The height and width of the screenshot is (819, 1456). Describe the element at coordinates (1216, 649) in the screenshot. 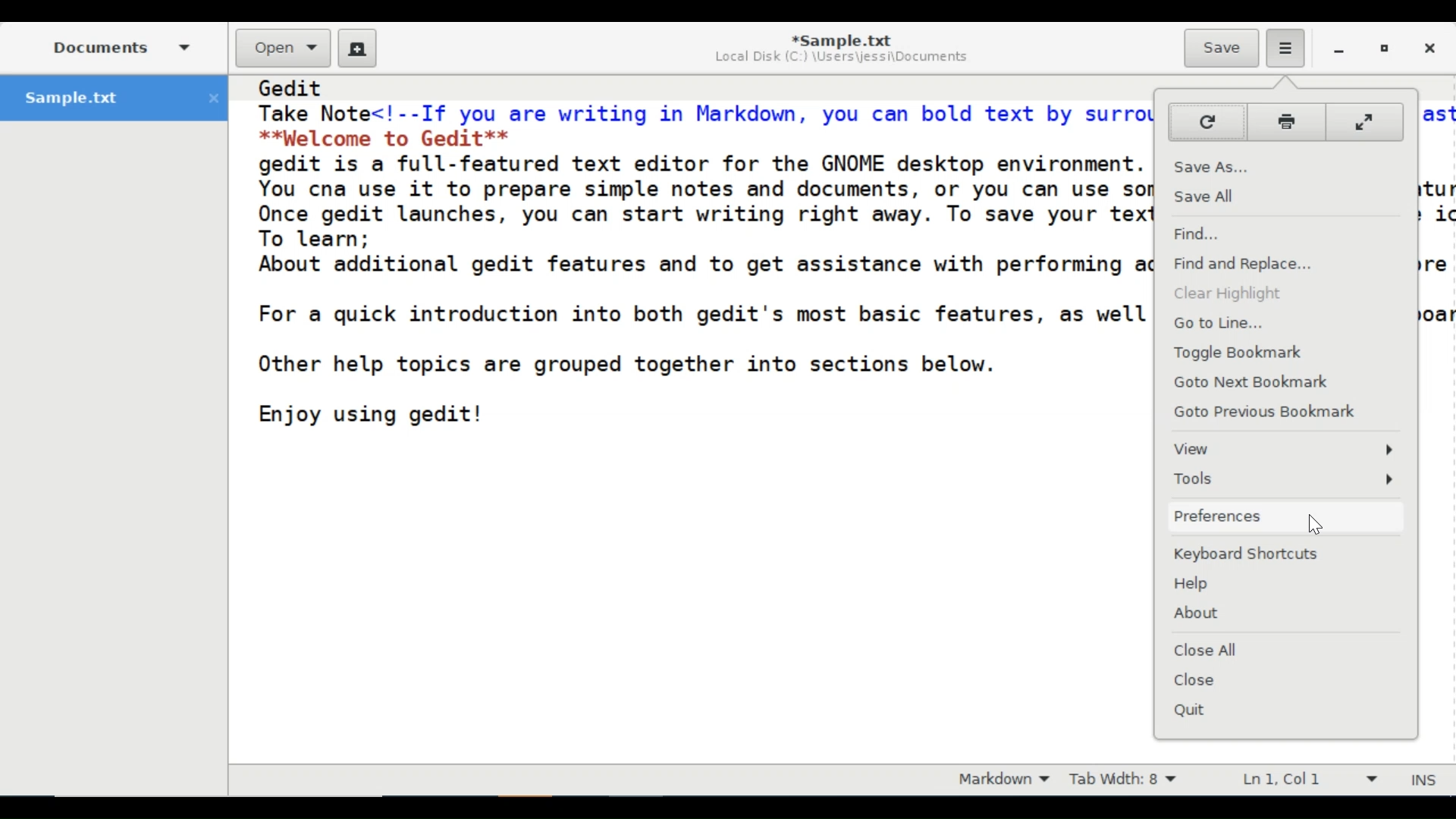

I see `Close All` at that location.